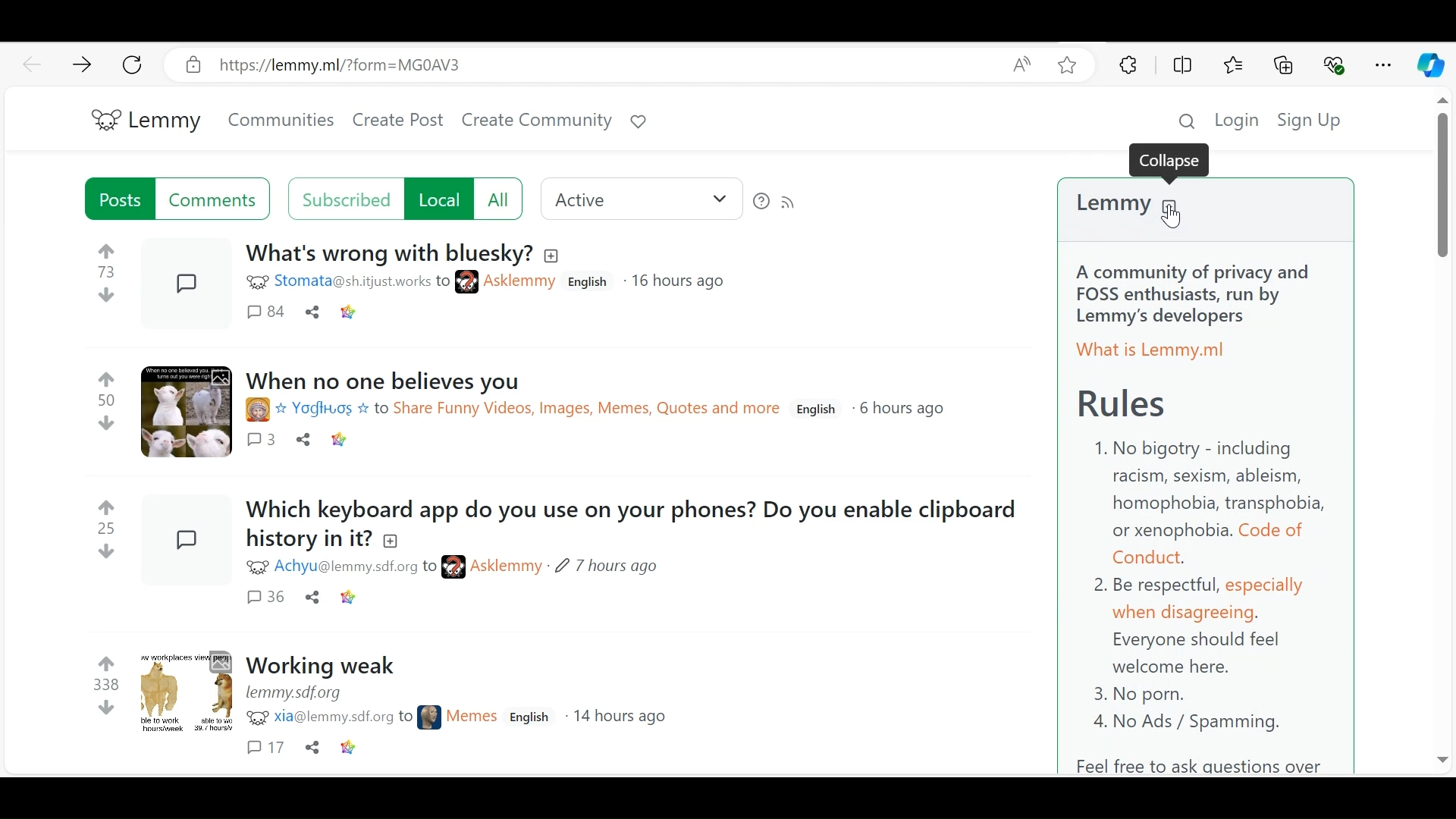 Image resolution: width=1456 pixels, height=819 pixels. What do you see at coordinates (184, 279) in the screenshot?
I see `Post` at bounding box center [184, 279].